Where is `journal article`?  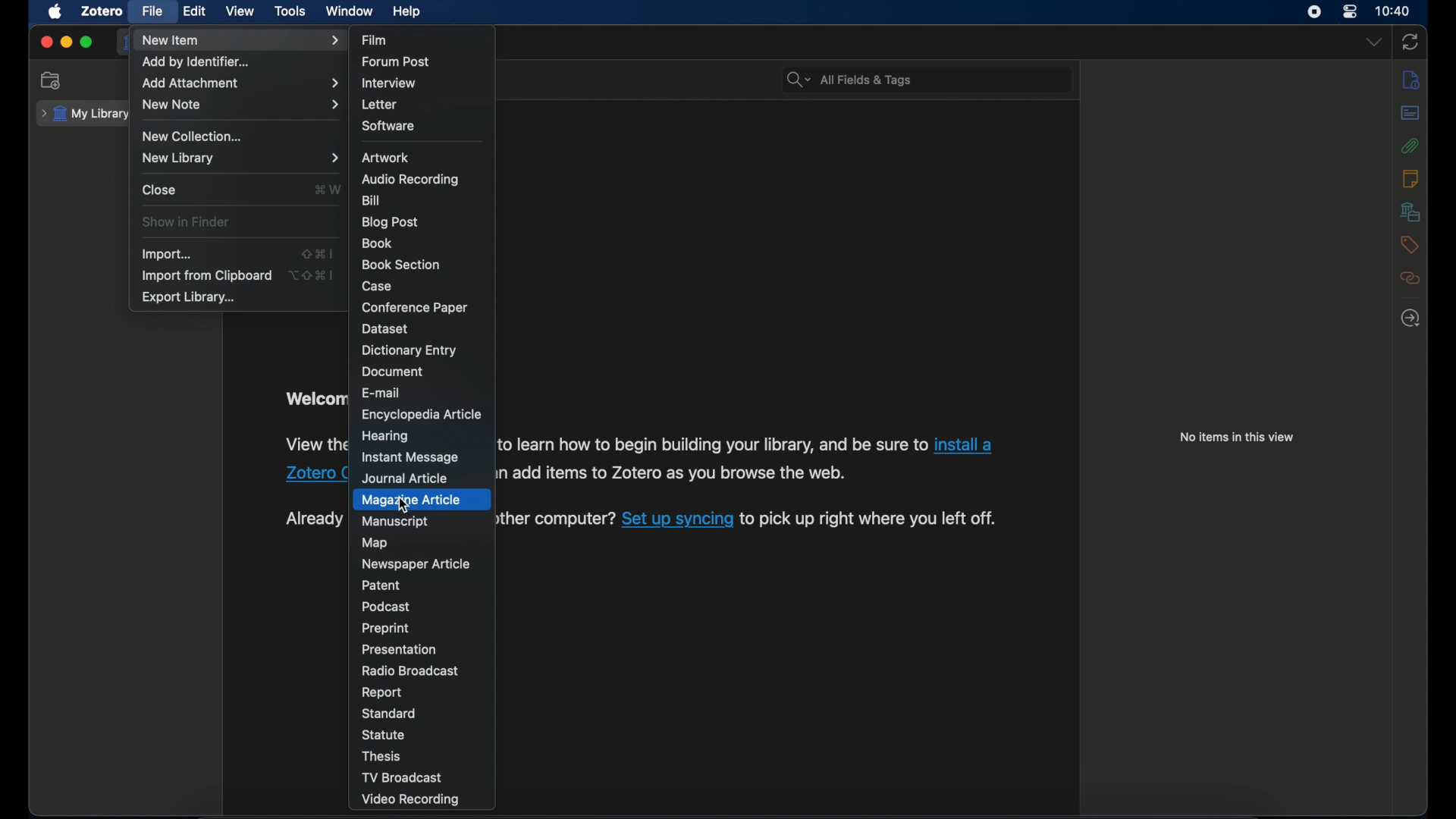
journal article is located at coordinates (409, 478).